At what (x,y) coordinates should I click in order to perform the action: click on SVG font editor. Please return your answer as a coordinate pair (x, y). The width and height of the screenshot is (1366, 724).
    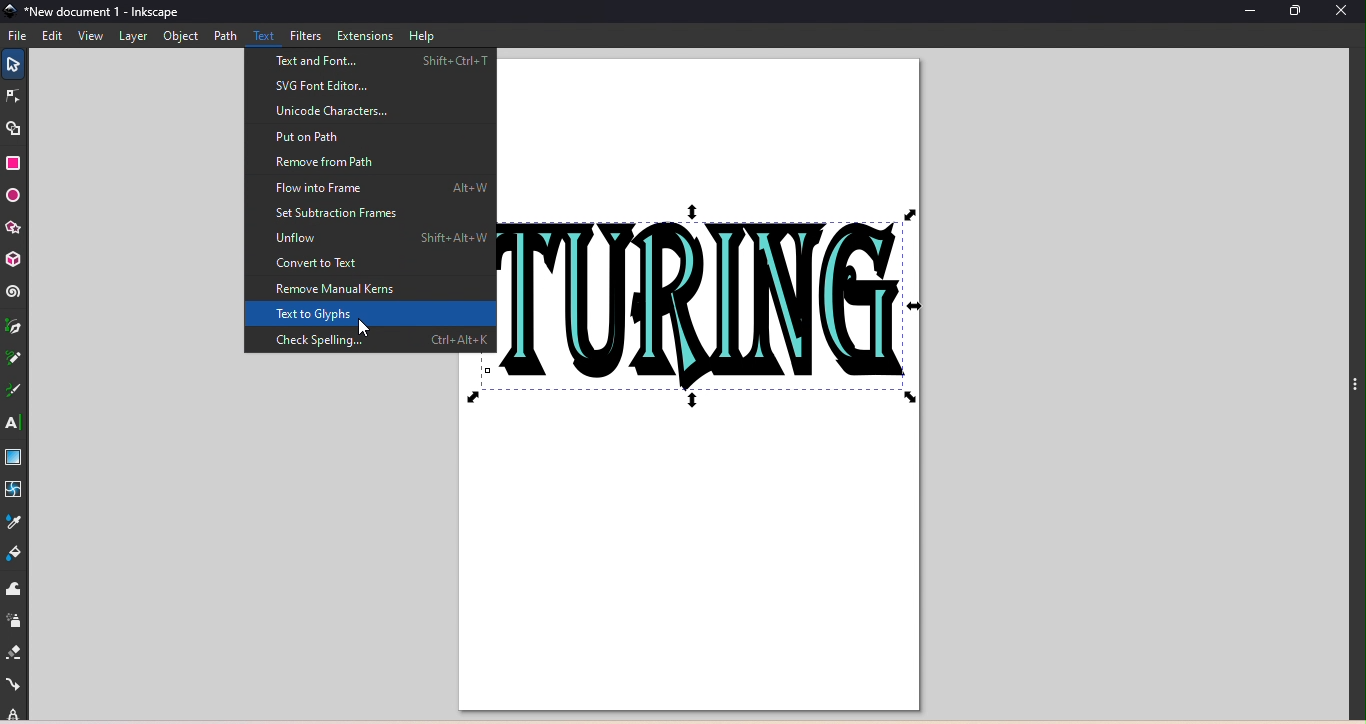
    Looking at the image, I should click on (372, 87).